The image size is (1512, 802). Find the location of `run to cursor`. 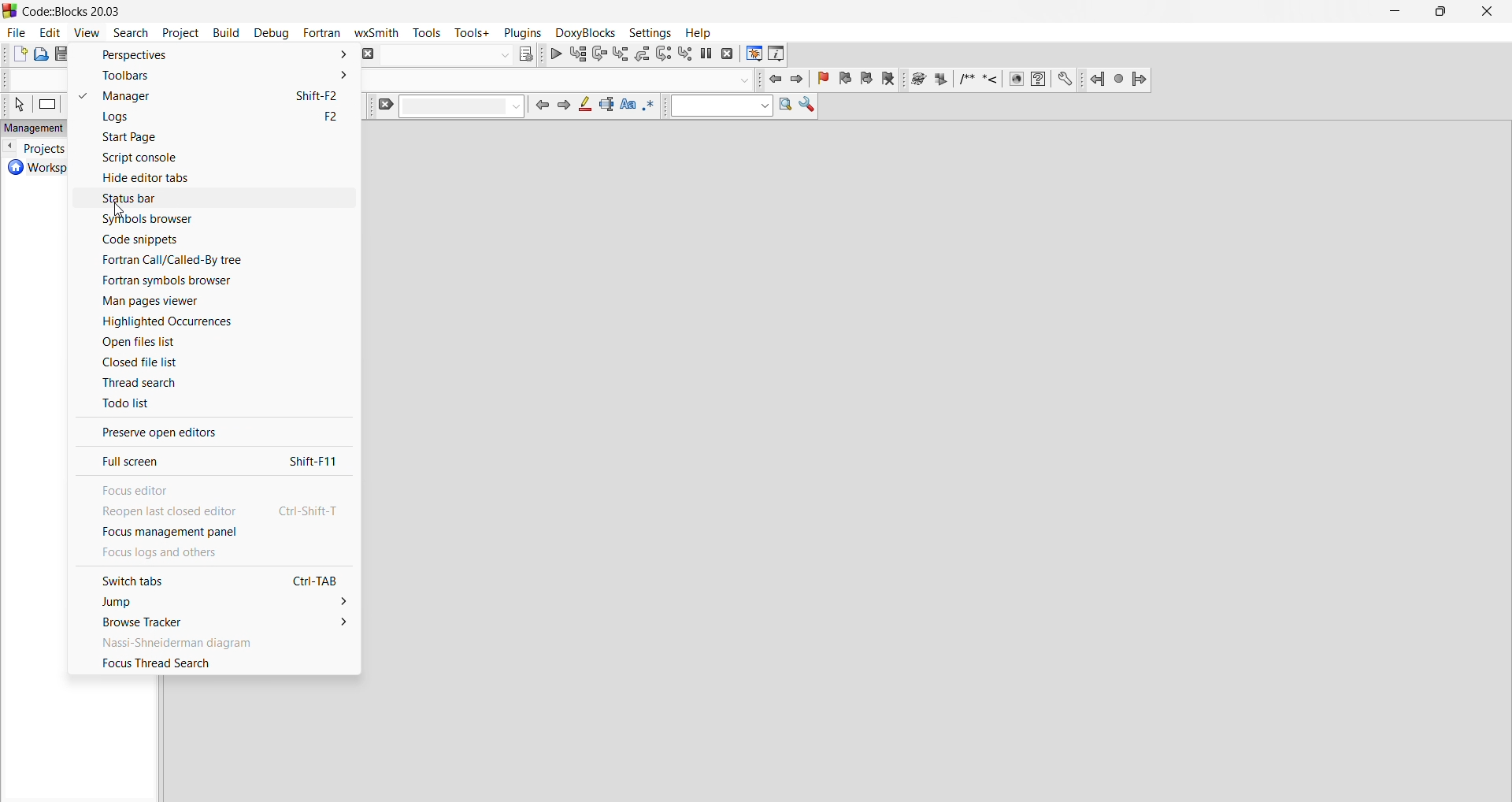

run to cursor is located at coordinates (578, 55).